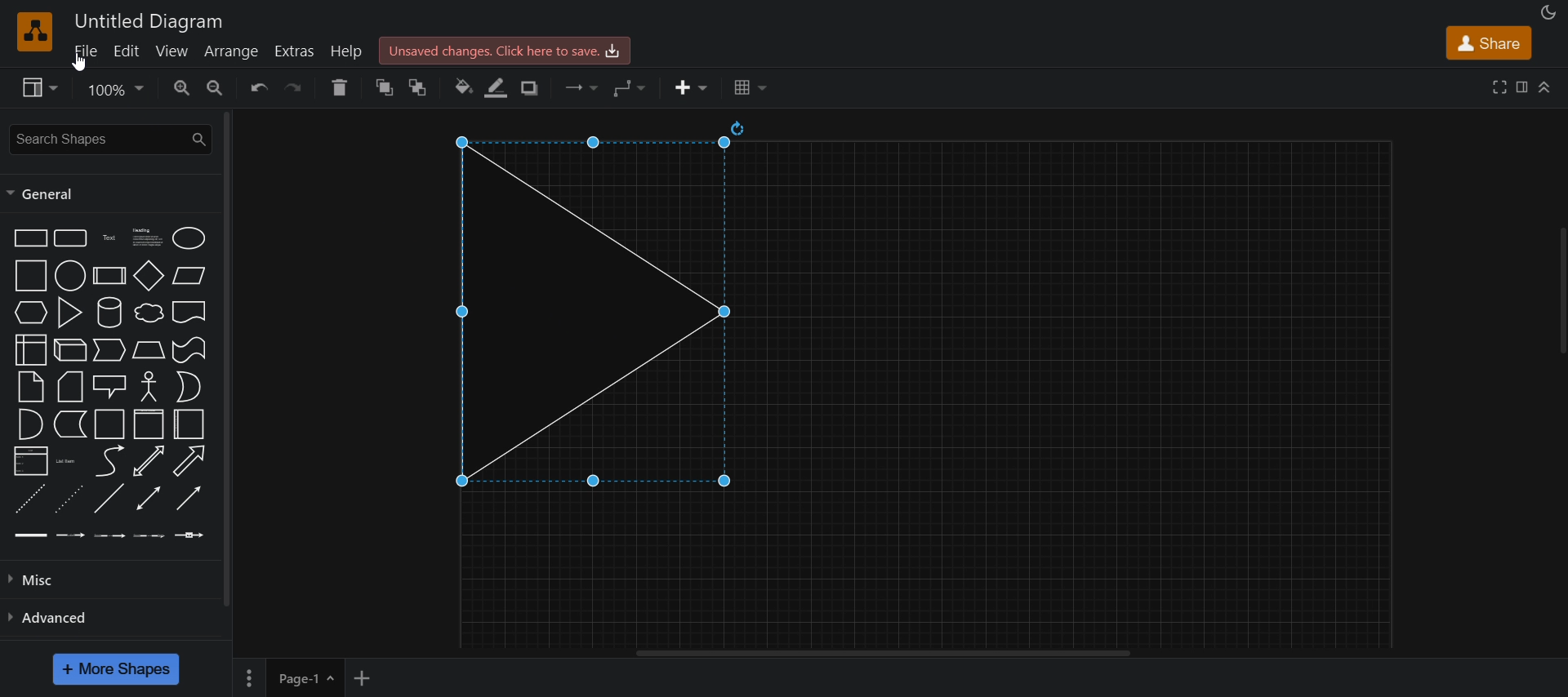  Describe the element at coordinates (118, 669) in the screenshot. I see `more shapes` at that location.